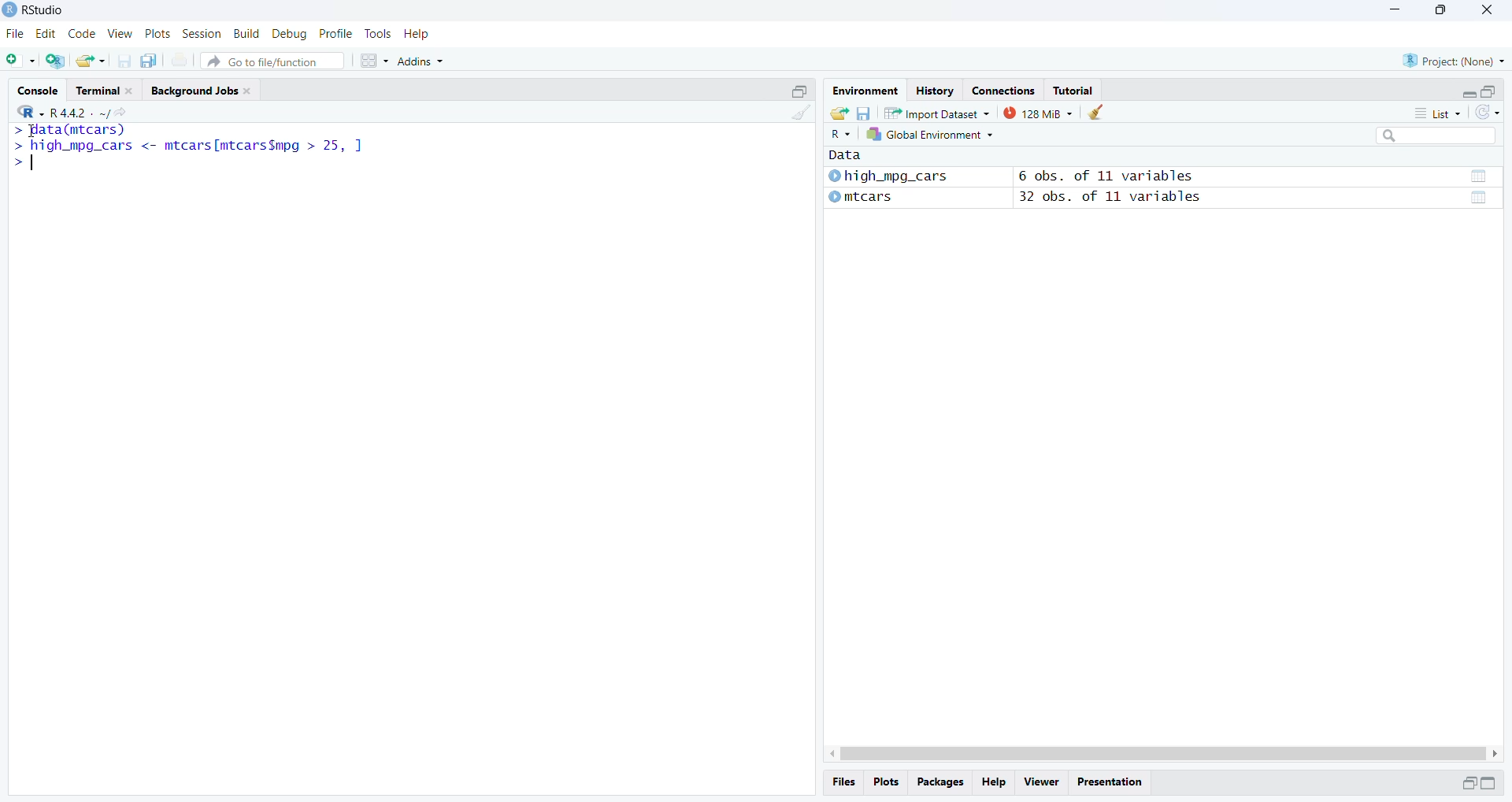 This screenshot has width=1512, height=802. I want to click on Help, so click(994, 783).